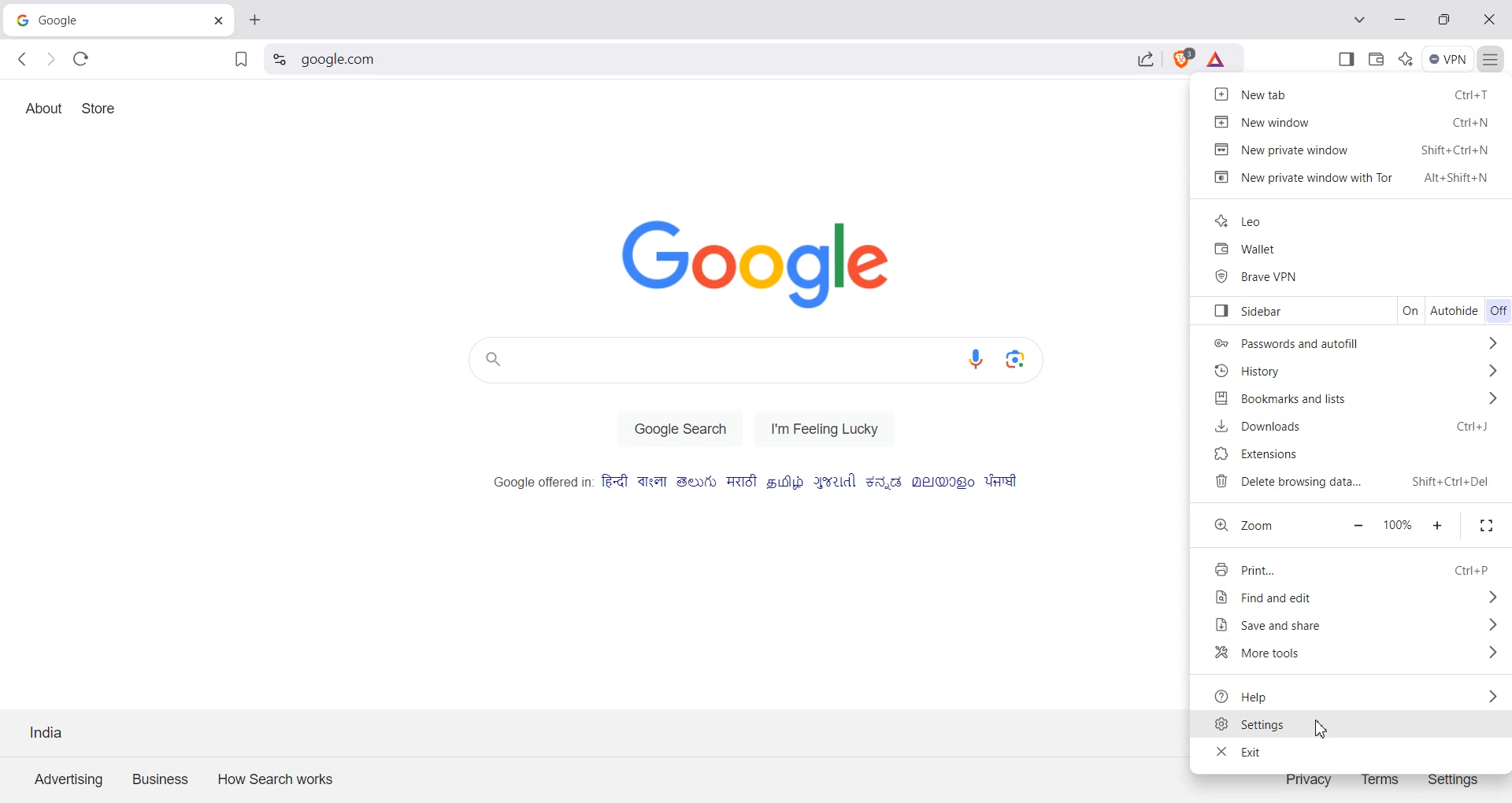 The width and height of the screenshot is (1512, 803). What do you see at coordinates (1360, 456) in the screenshot?
I see `Extensions` at bounding box center [1360, 456].